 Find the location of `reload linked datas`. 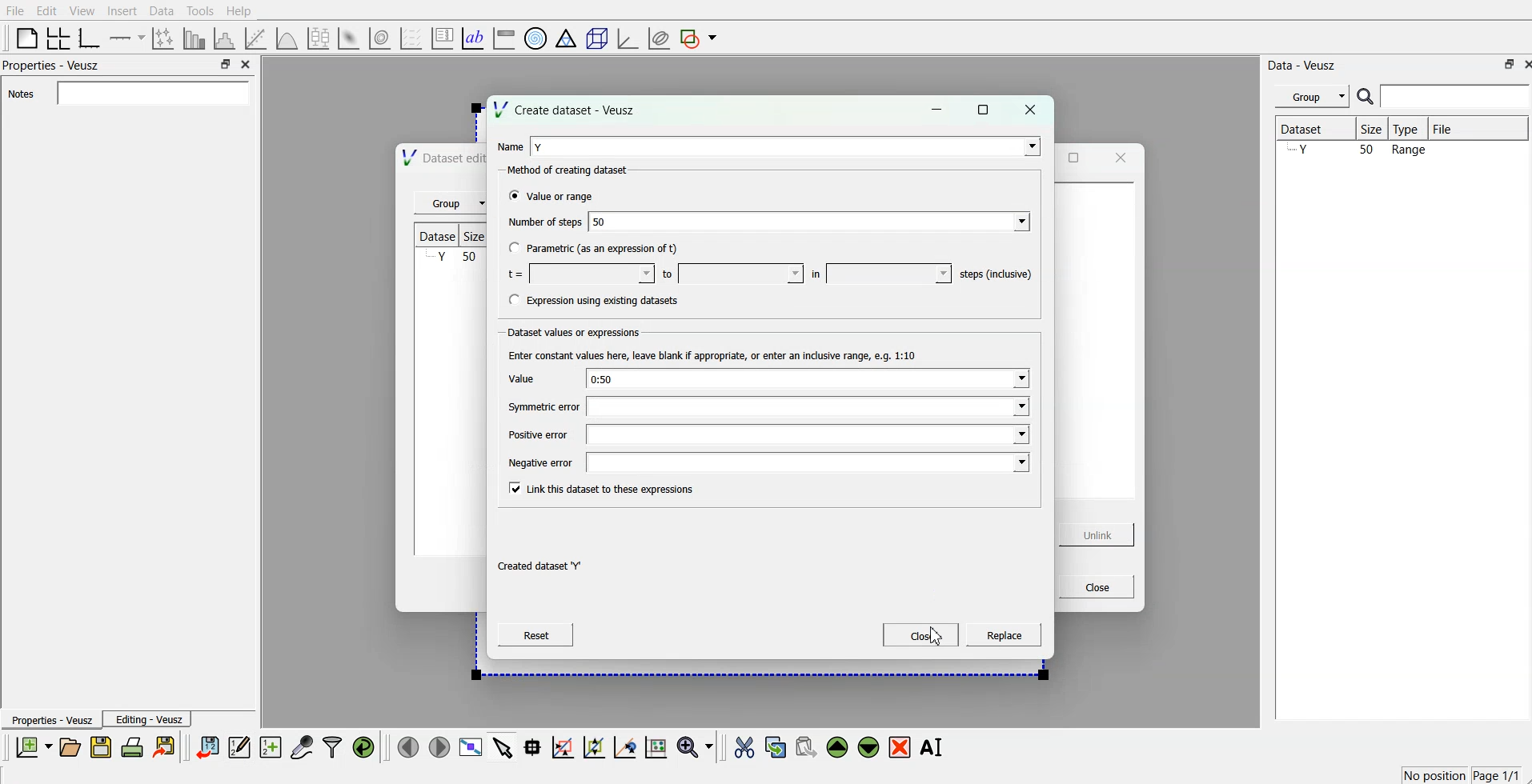

reload linked datas is located at coordinates (365, 748).